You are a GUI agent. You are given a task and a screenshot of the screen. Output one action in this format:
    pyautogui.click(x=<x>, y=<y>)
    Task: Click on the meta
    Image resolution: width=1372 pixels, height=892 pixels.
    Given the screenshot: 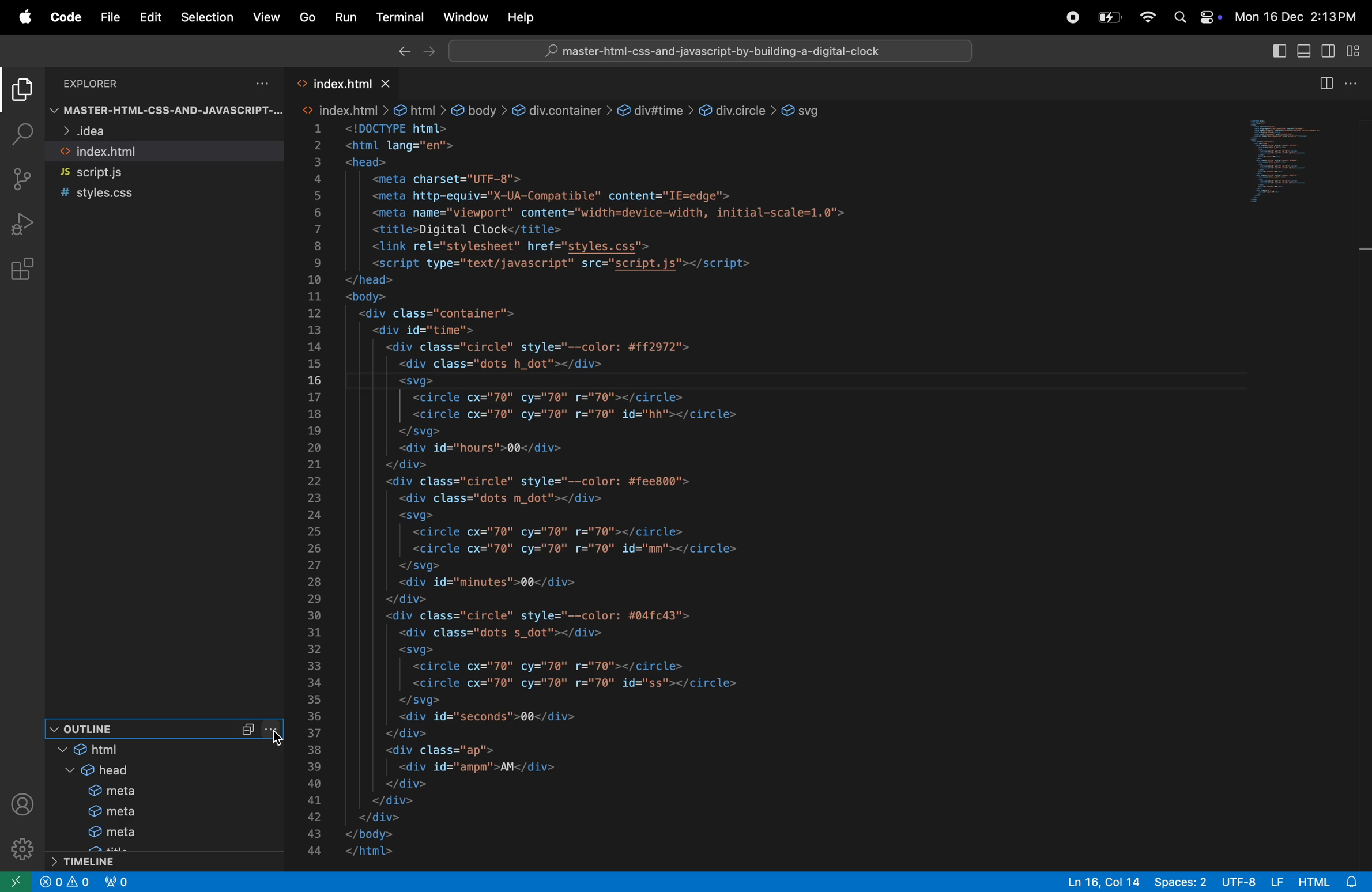 What is the action you would take?
    pyautogui.click(x=163, y=810)
    